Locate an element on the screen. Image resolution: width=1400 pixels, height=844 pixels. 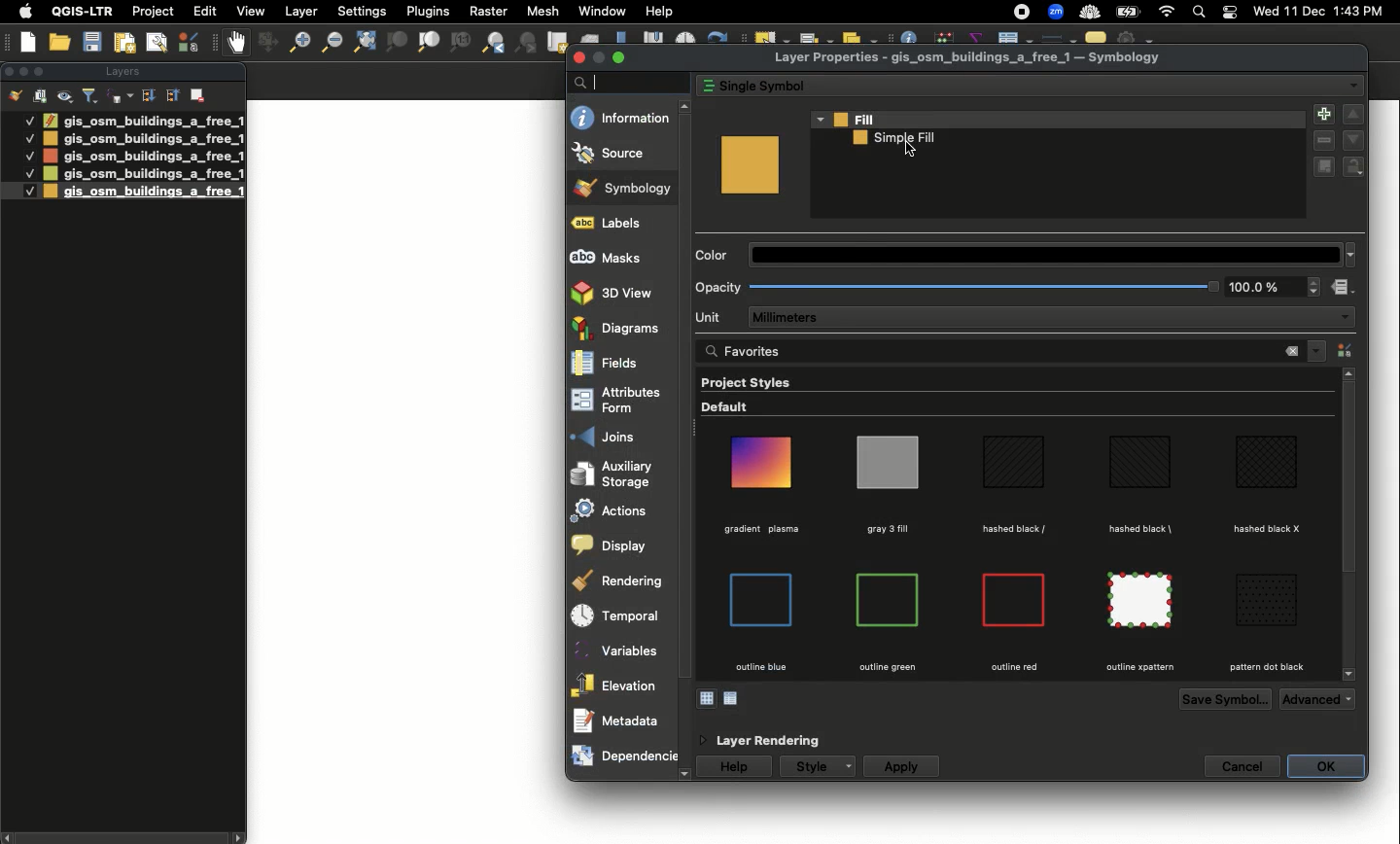
View is located at coordinates (249, 11).